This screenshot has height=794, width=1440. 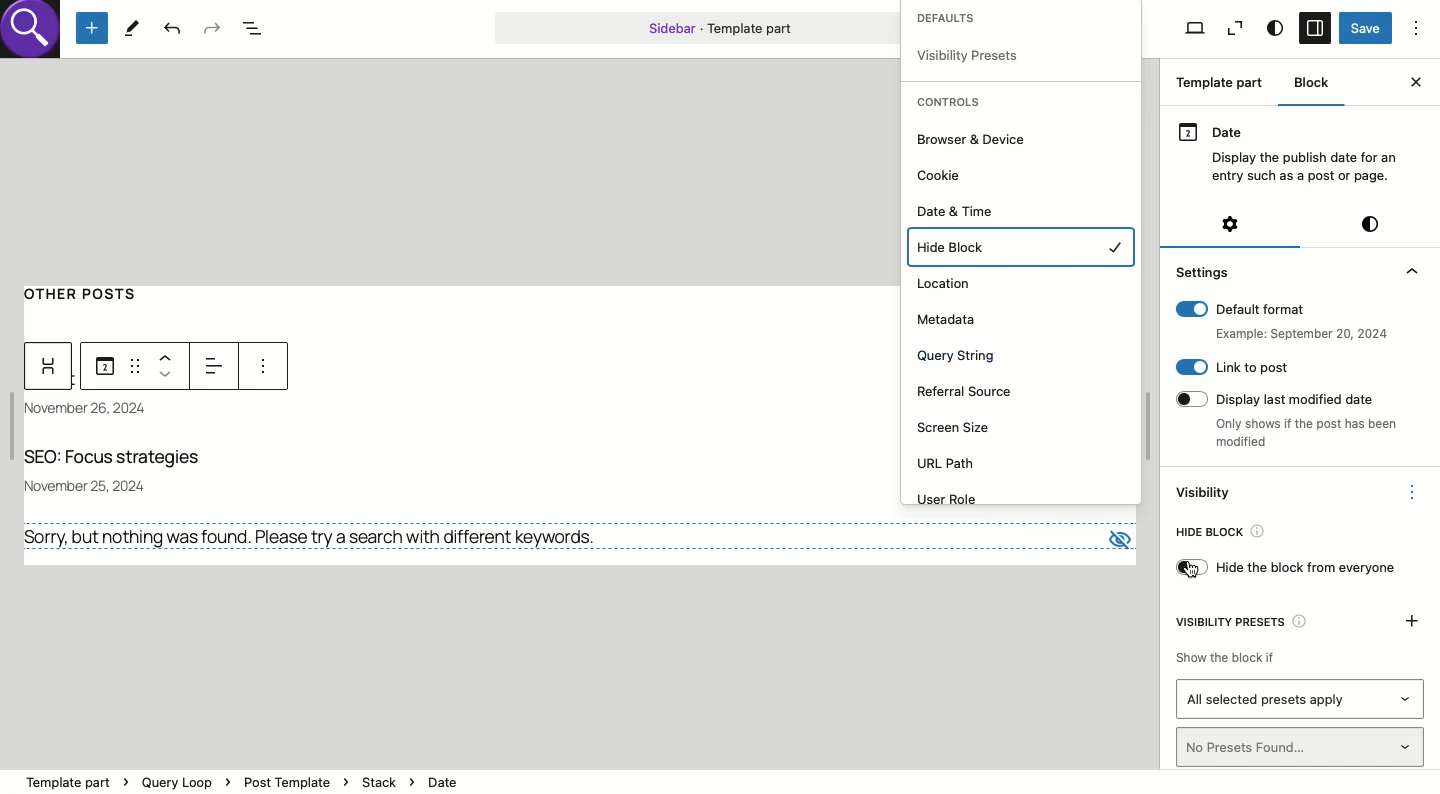 What do you see at coordinates (954, 500) in the screenshot?
I see `User role` at bounding box center [954, 500].